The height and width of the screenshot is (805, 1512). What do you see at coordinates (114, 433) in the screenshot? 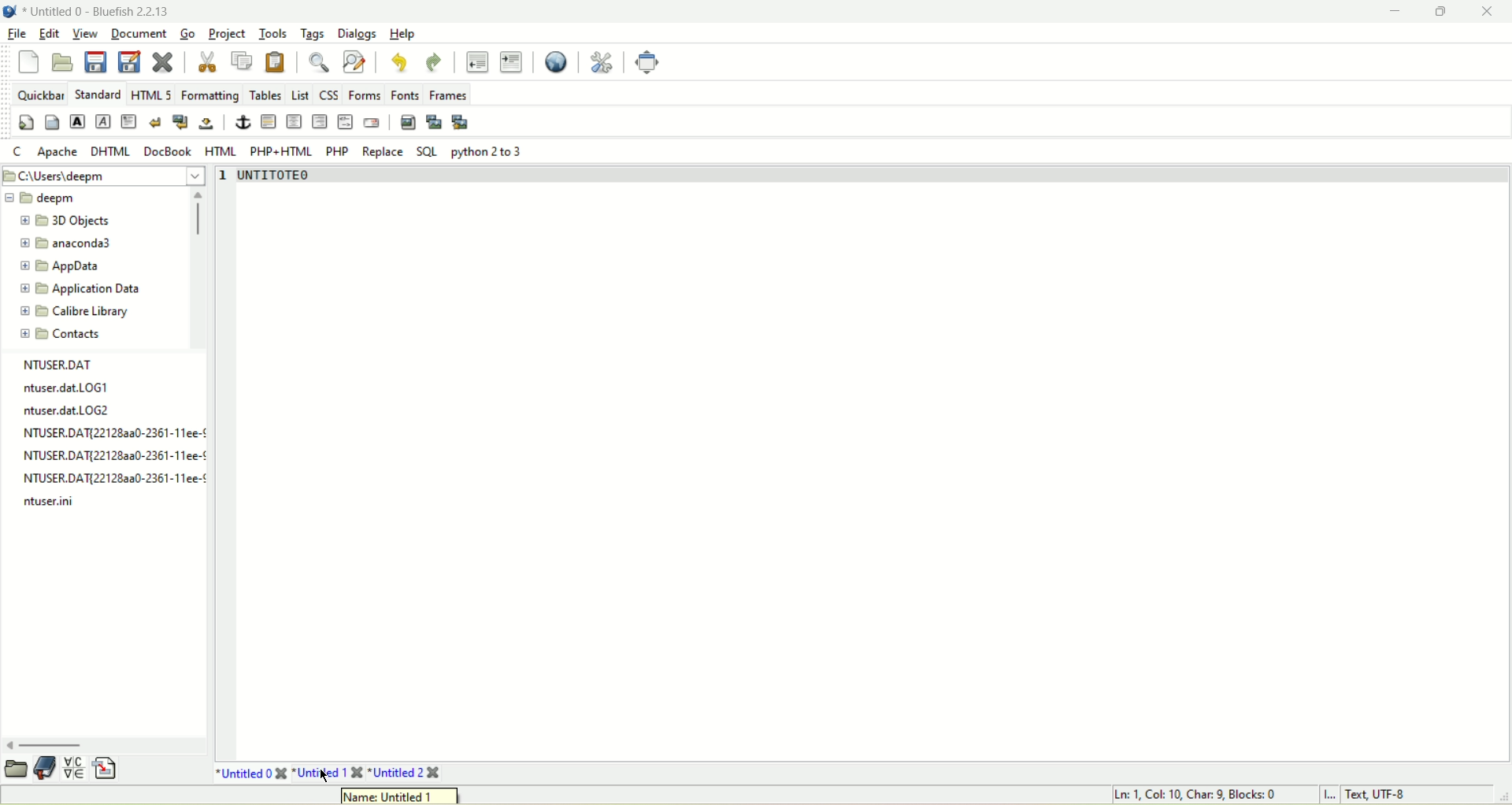
I see `` at bounding box center [114, 433].